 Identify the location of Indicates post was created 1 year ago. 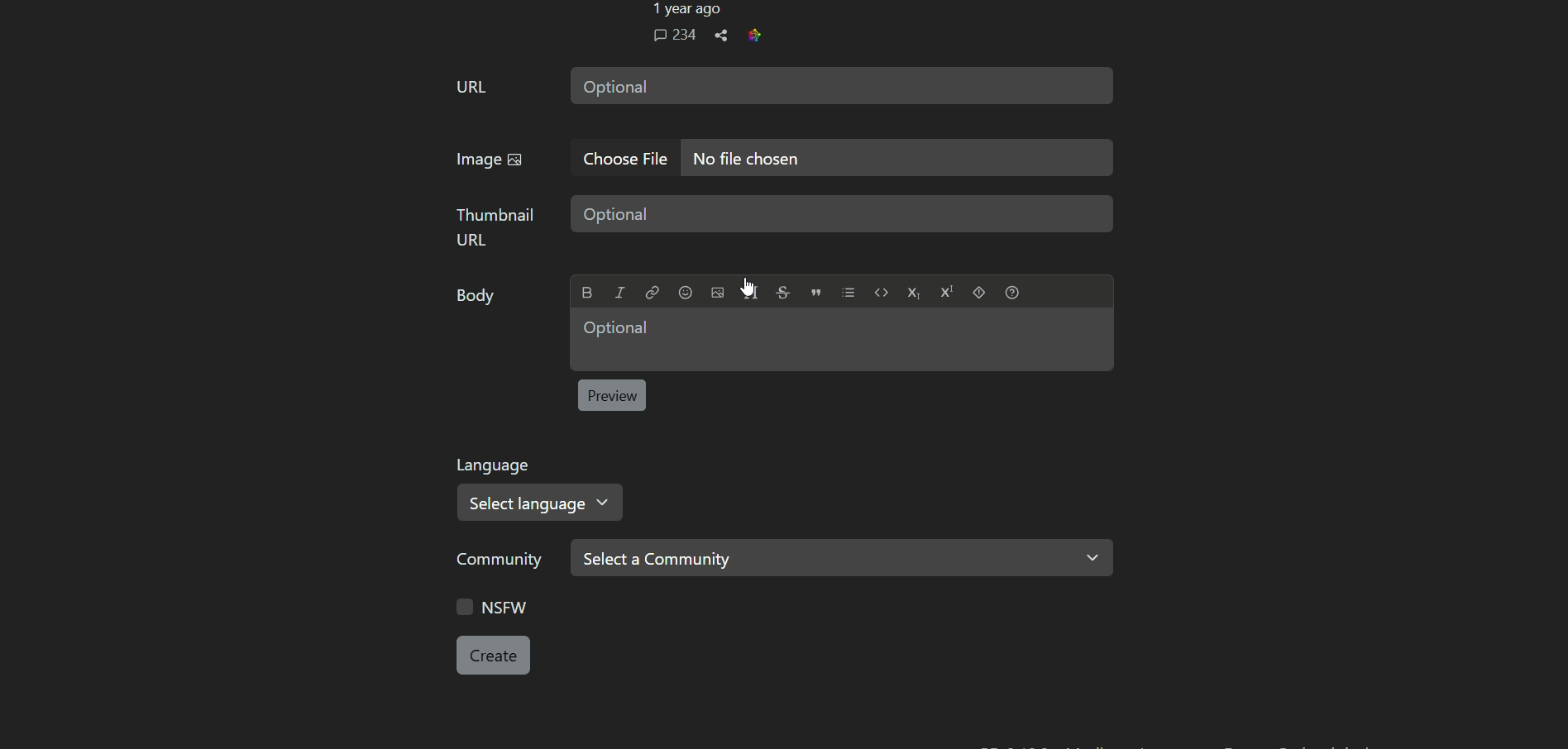
(685, 10).